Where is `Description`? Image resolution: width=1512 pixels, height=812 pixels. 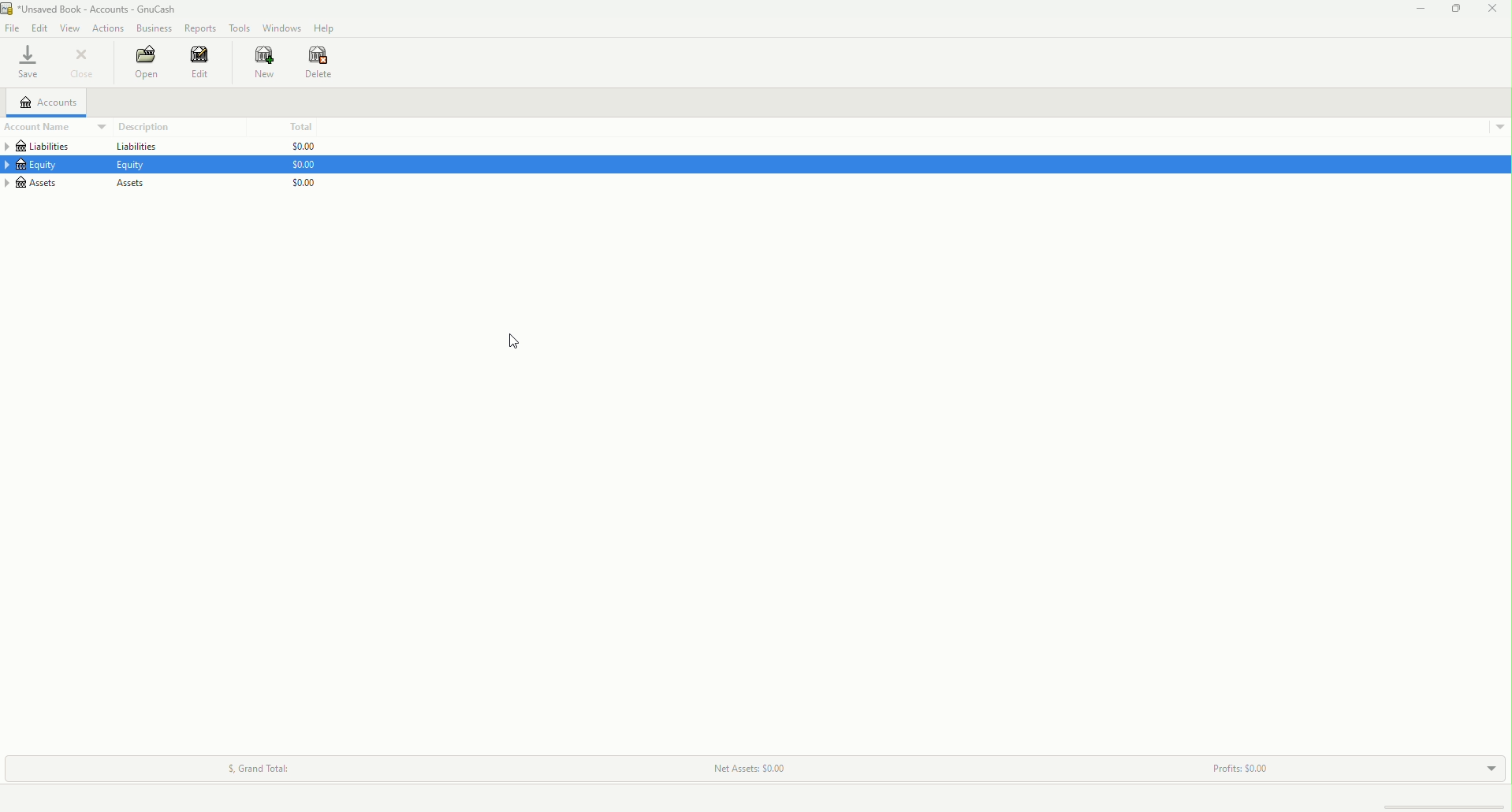
Description is located at coordinates (142, 126).